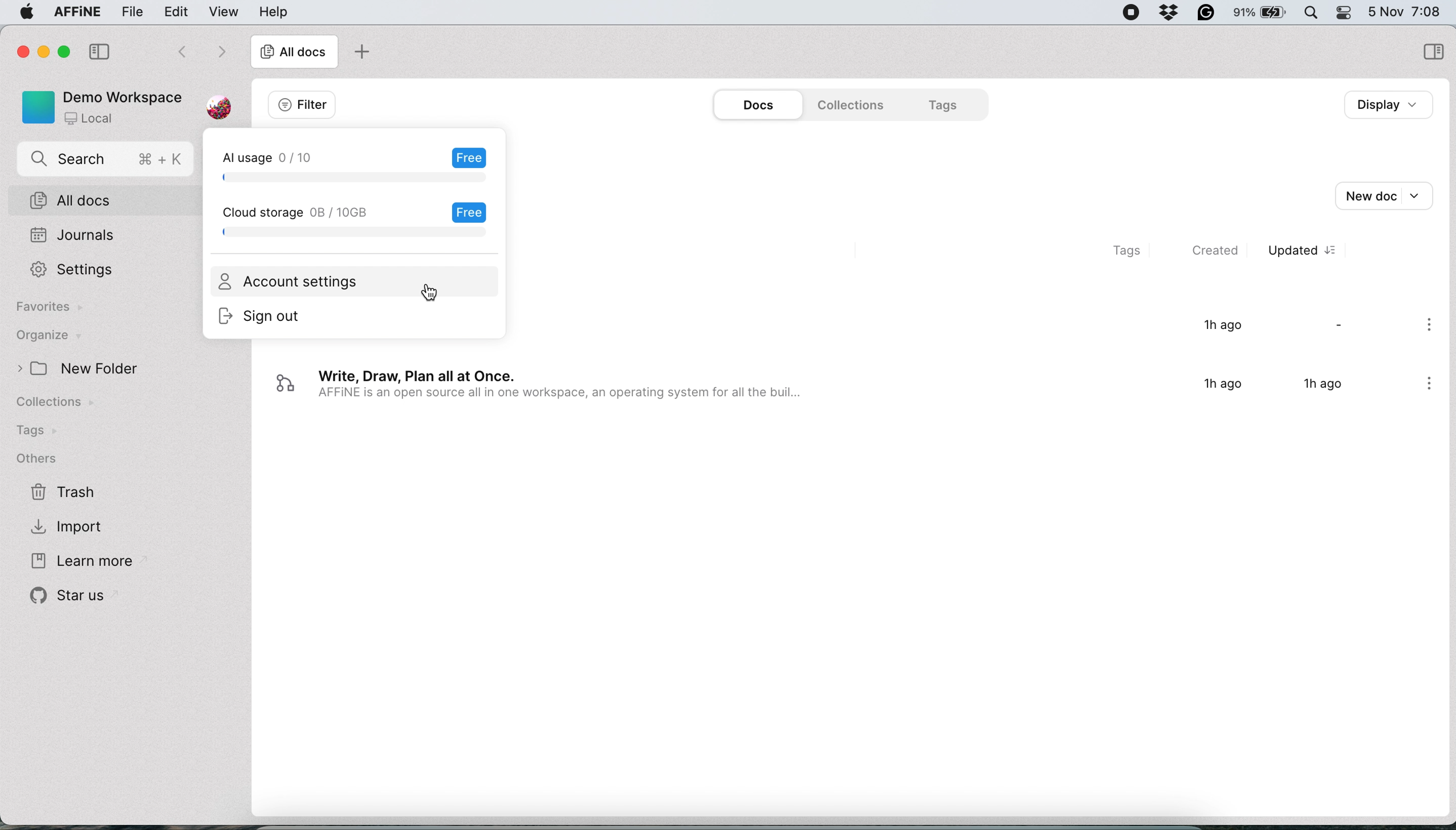  Describe the element at coordinates (21, 51) in the screenshot. I see `close` at that location.